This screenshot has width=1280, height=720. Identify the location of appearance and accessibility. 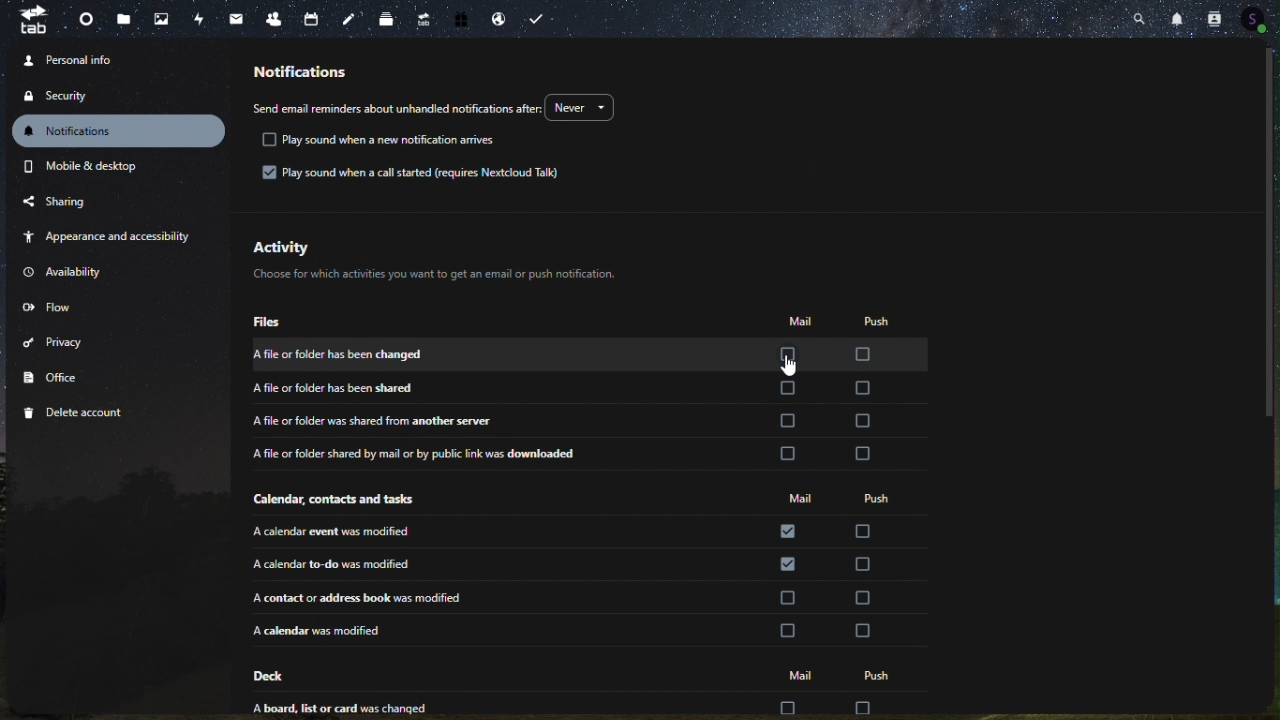
(113, 237).